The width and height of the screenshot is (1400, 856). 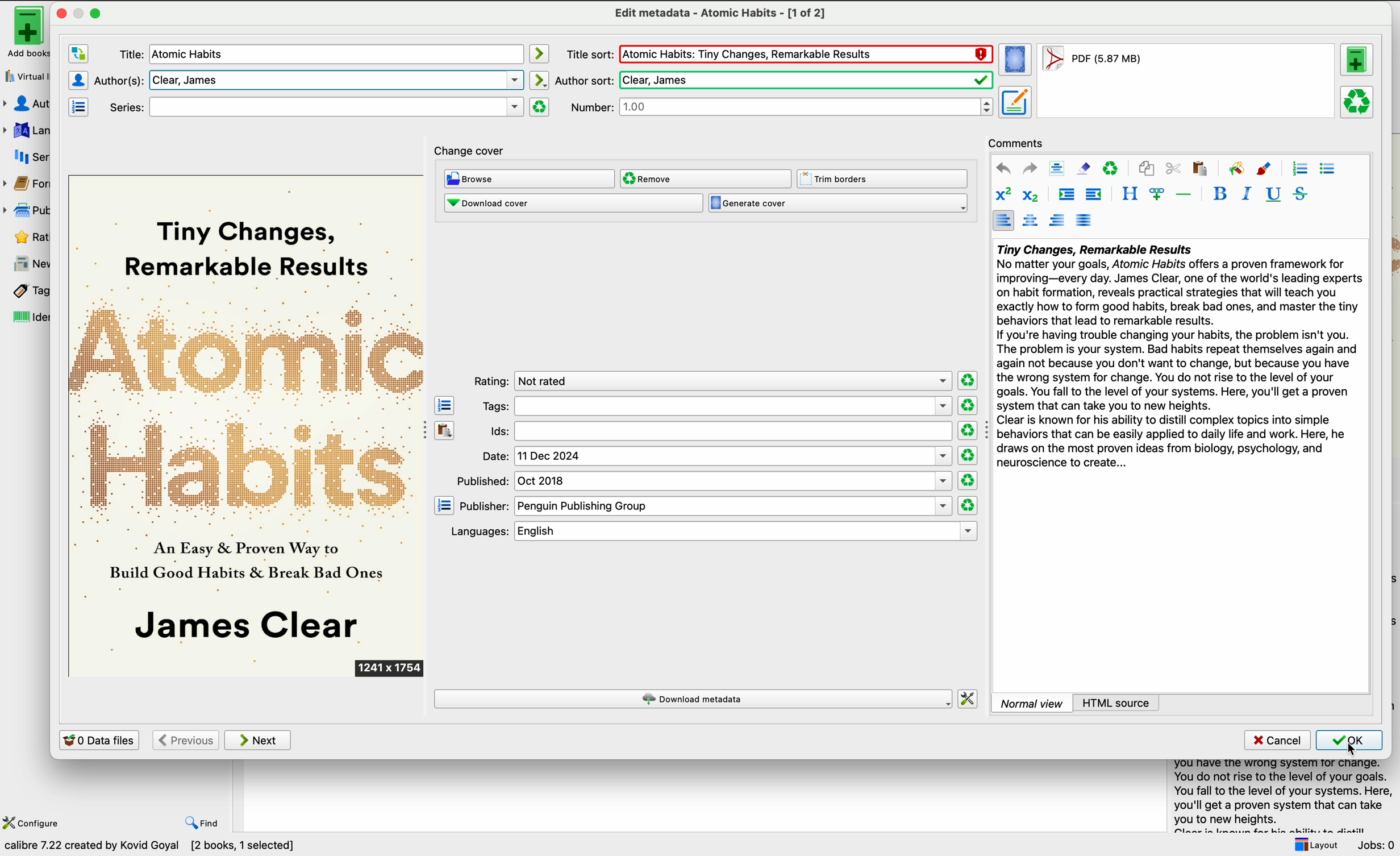 What do you see at coordinates (1236, 168) in the screenshot?
I see `background color` at bounding box center [1236, 168].